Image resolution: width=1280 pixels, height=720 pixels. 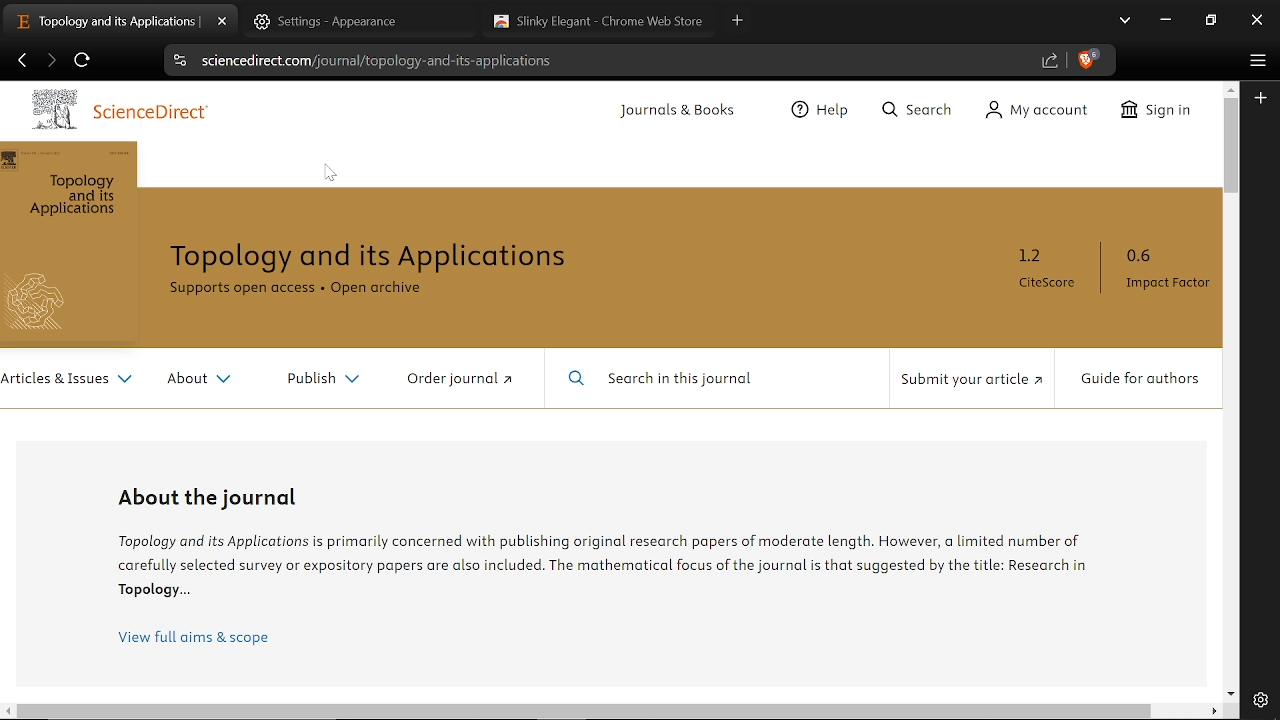 What do you see at coordinates (104, 20) in the screenshot?
I see `Current tab` at bounding box center [104, 20].